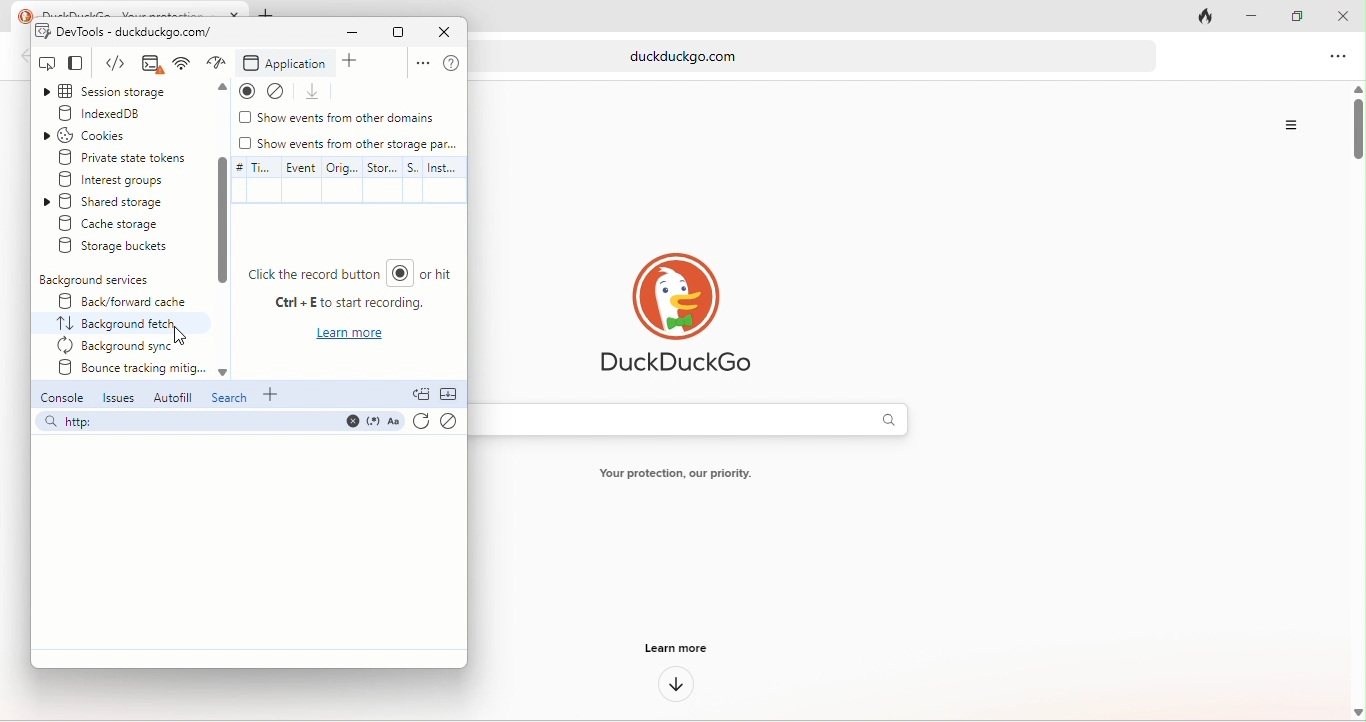 This screenshot has width=1366, height=722. What do you see at coordinates (414, 178) in the screenshot?
I see `service workers` at bounding box center [414, 178].